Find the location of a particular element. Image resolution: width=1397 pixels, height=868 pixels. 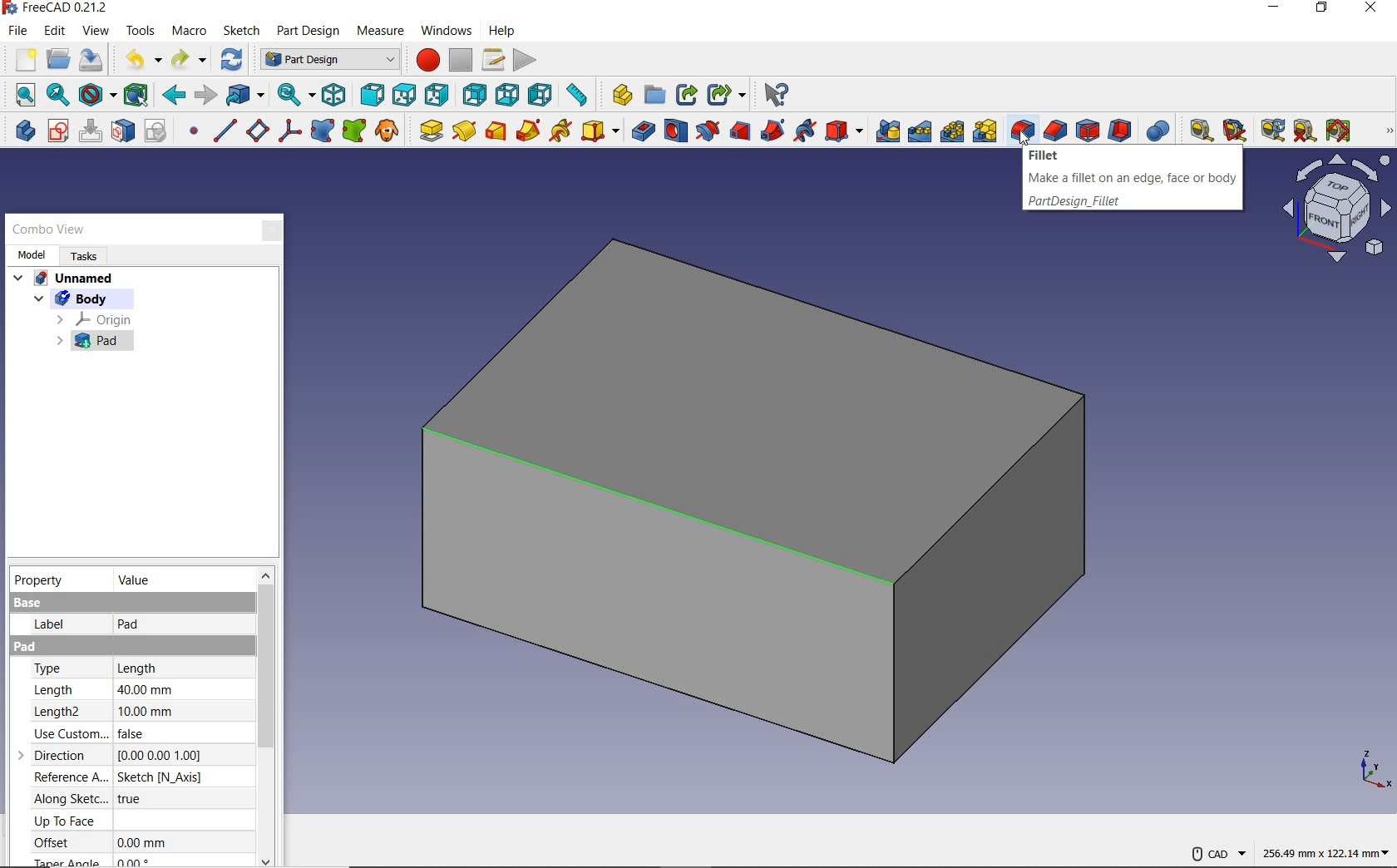

Plane view is located at coordinates (1335, 211).